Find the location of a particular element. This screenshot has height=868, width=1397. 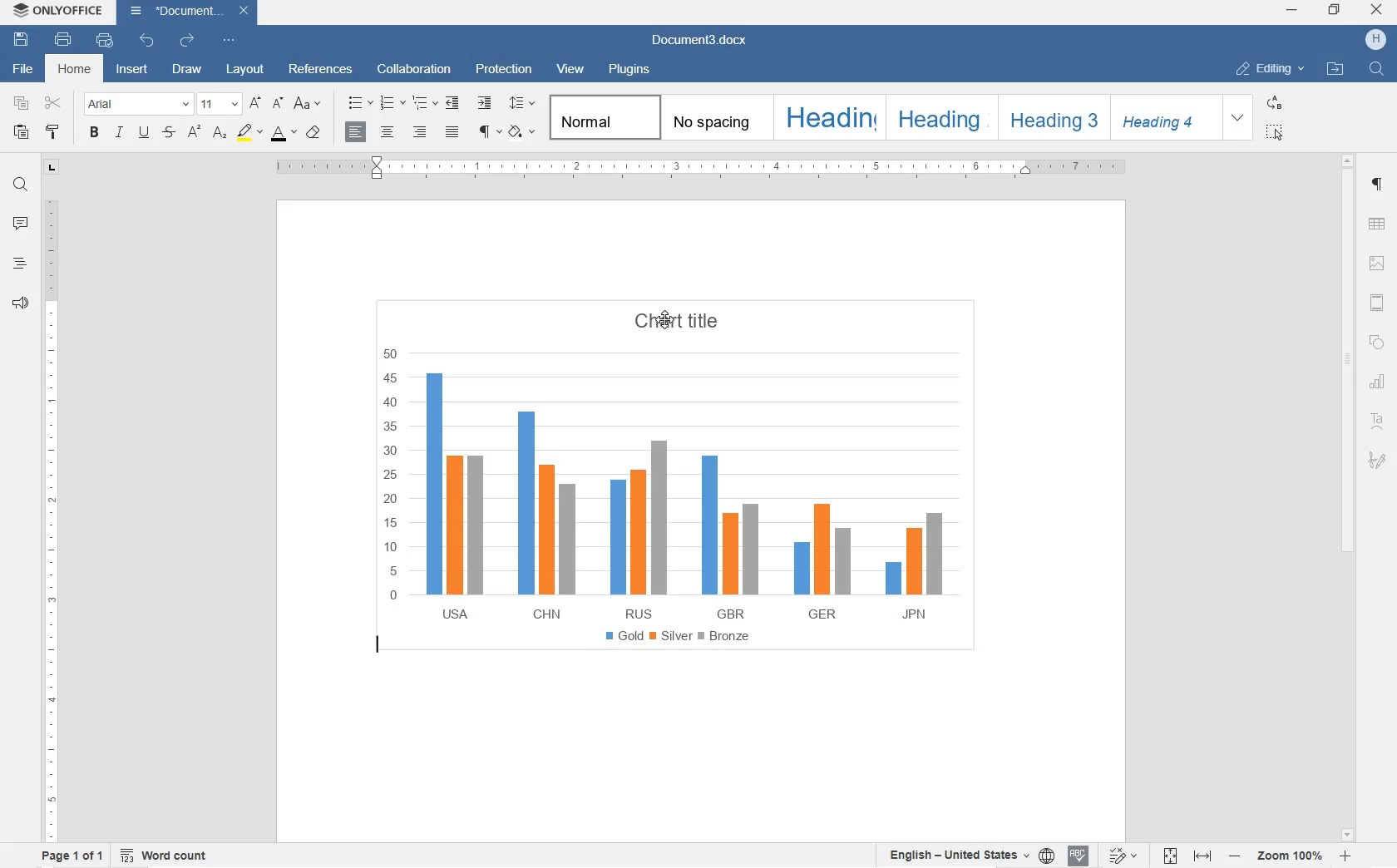

DECREMENT FONT SIZE is located at coordinates (278, 103).